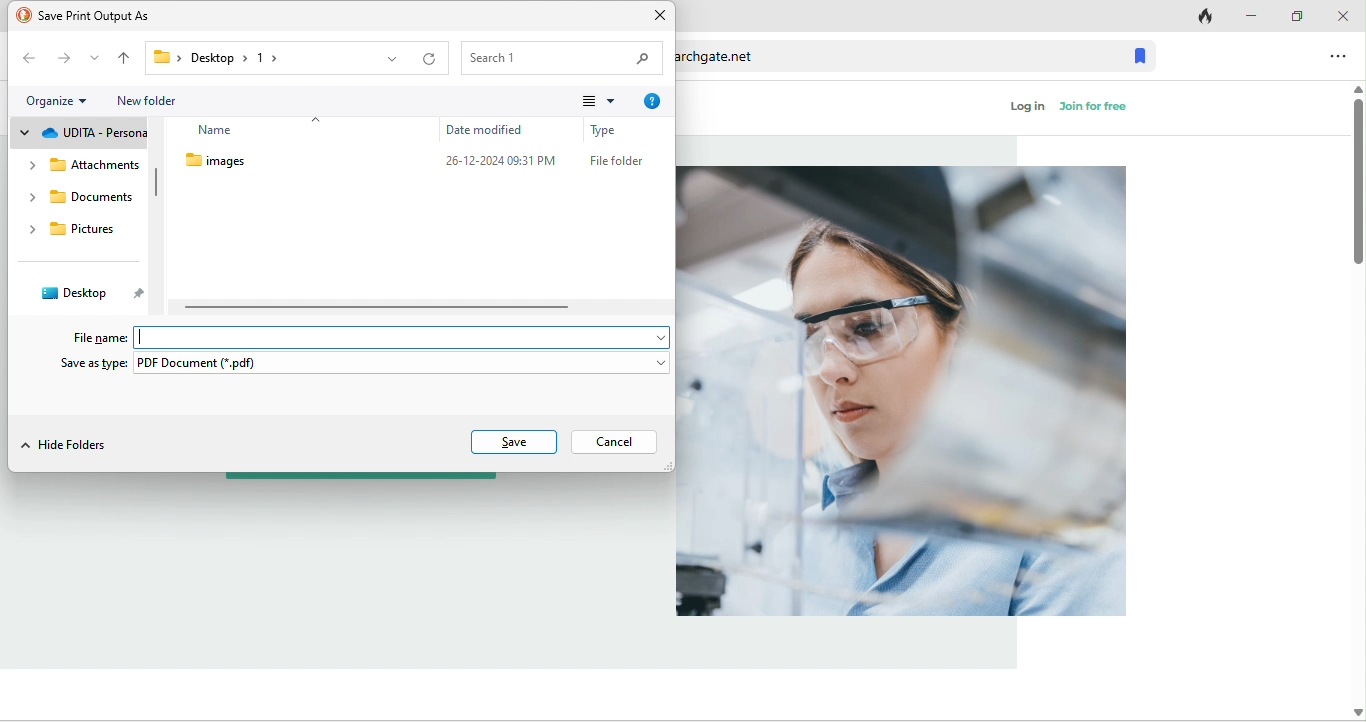 Image resolution: width=1366 pixels, height=722 pixels. I want to click on pictures, so click(73, 233).